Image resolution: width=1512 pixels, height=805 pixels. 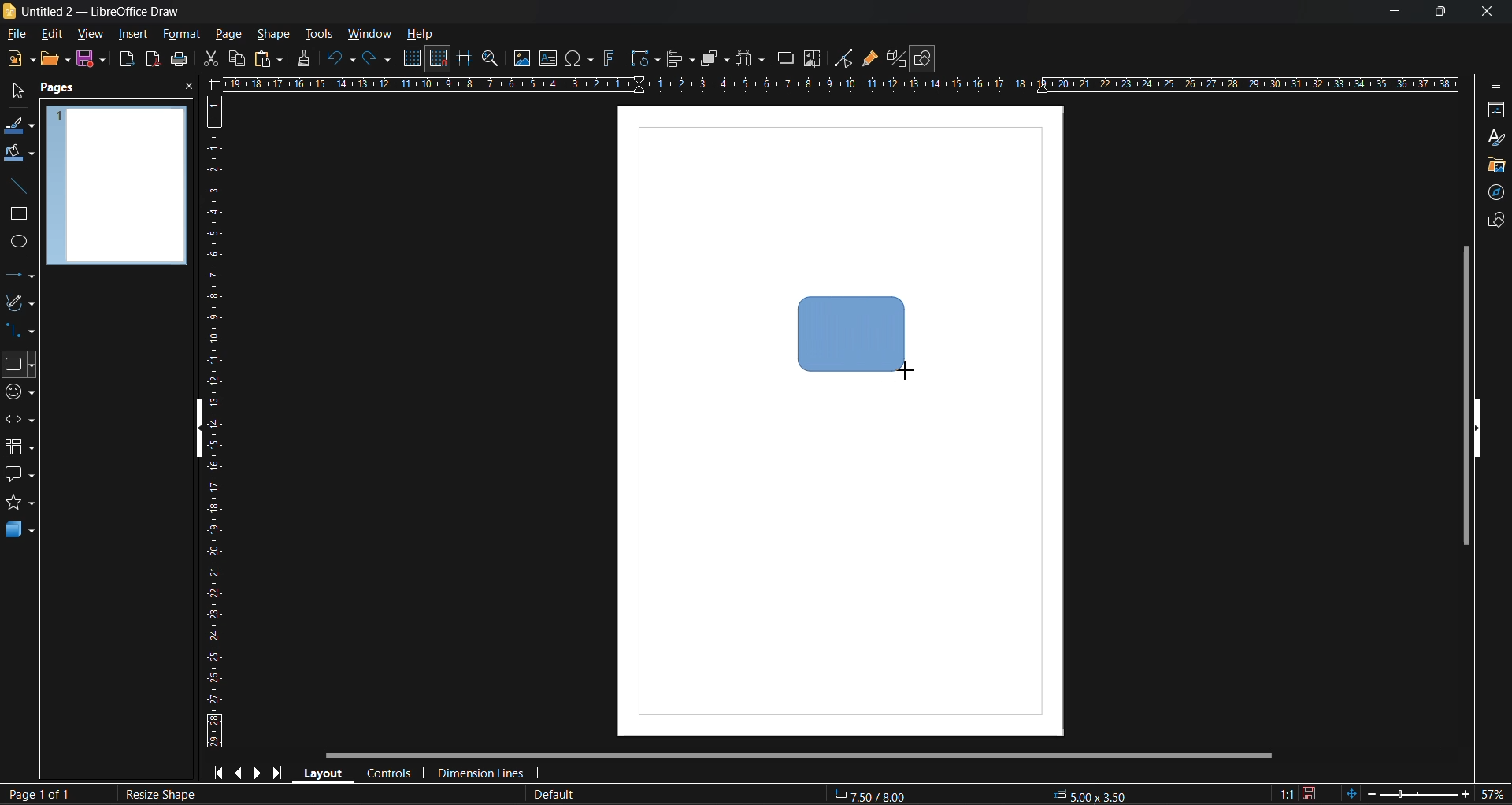 I want to click on help, so click(x=421, y=35).